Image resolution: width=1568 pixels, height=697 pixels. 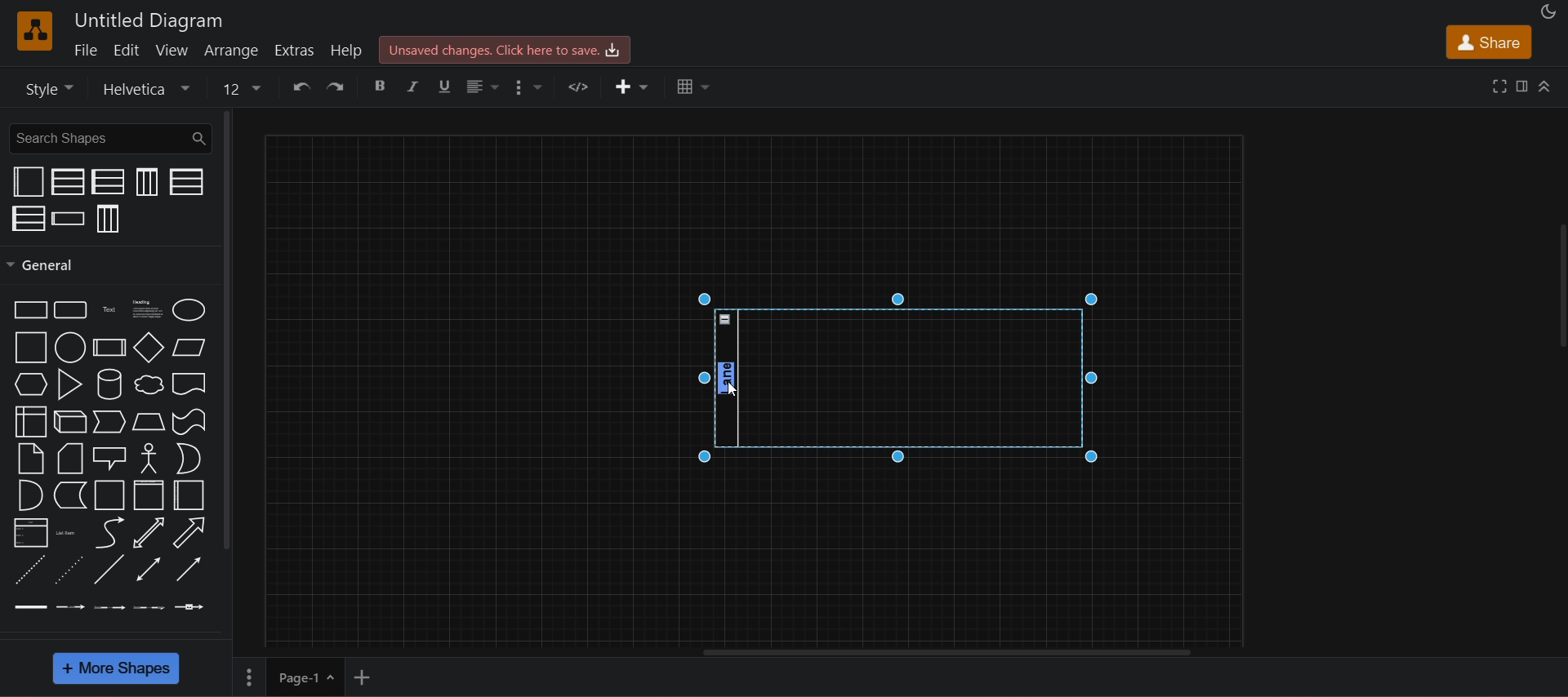 I want to click on heading text box, so click(x=145, y=311).